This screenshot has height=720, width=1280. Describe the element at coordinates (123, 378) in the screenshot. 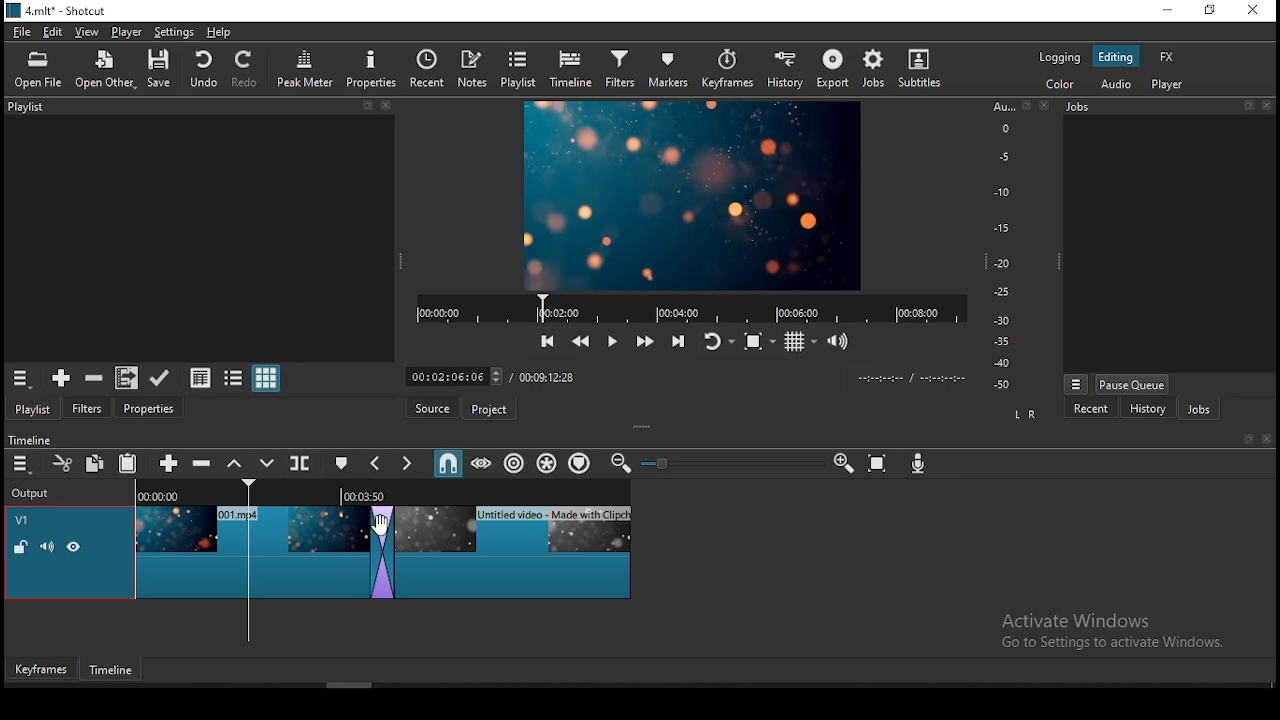

I see `add files to playlist` at that location.